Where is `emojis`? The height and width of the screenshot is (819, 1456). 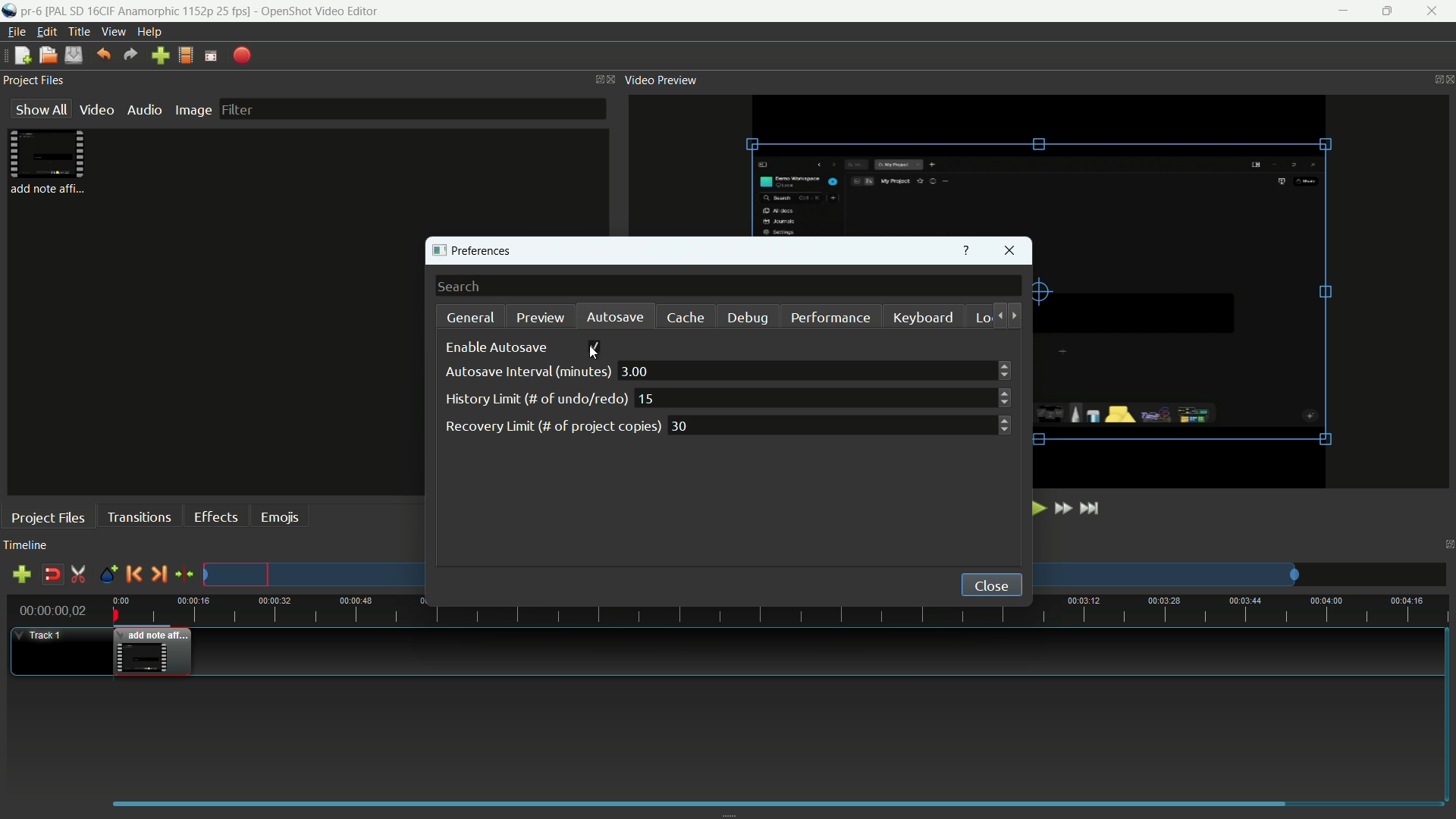
emojis is located at coordinates (280, 518).